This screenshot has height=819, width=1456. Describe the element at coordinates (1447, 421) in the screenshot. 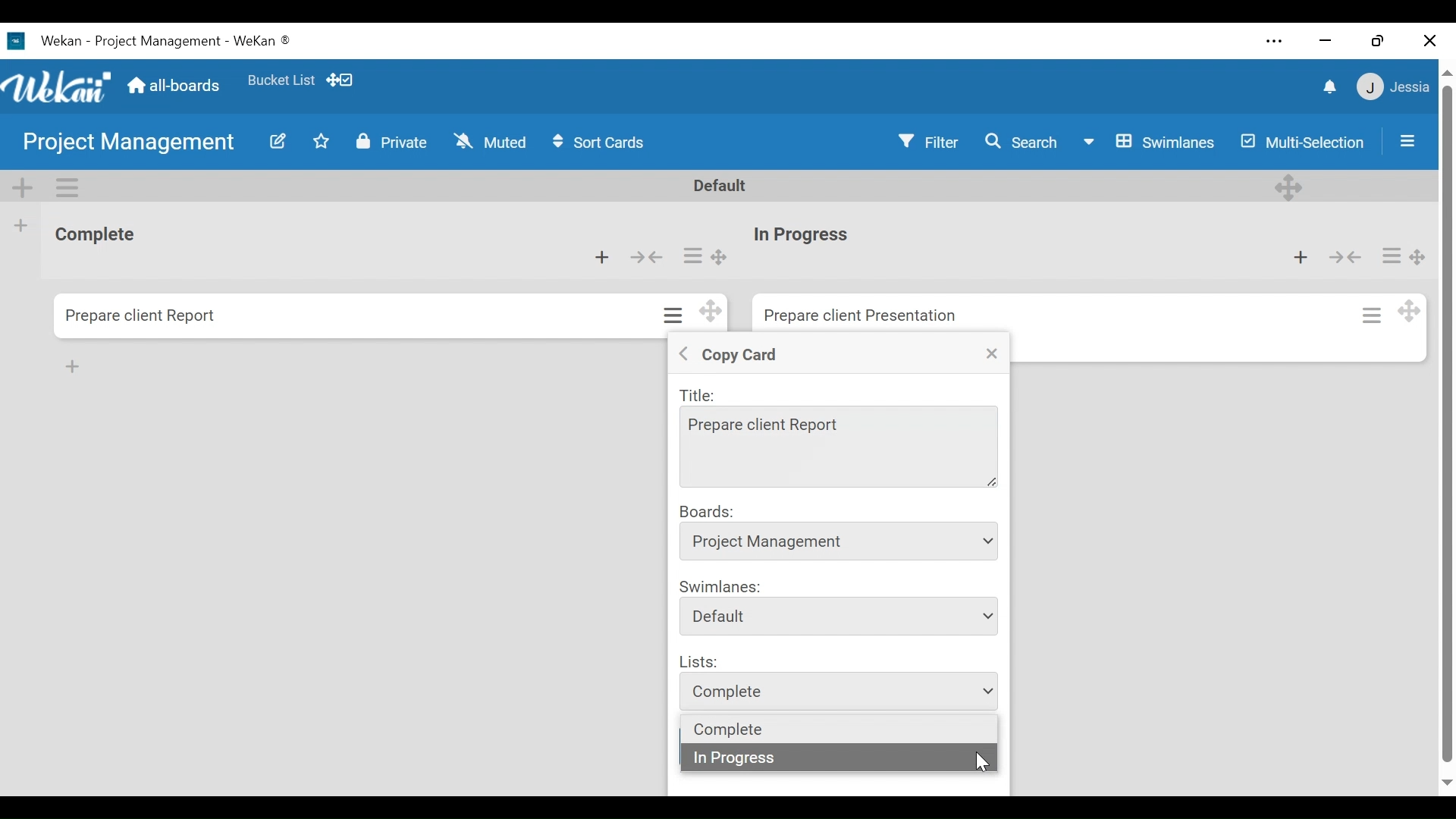

I see `vertical scroll bar` at that location.